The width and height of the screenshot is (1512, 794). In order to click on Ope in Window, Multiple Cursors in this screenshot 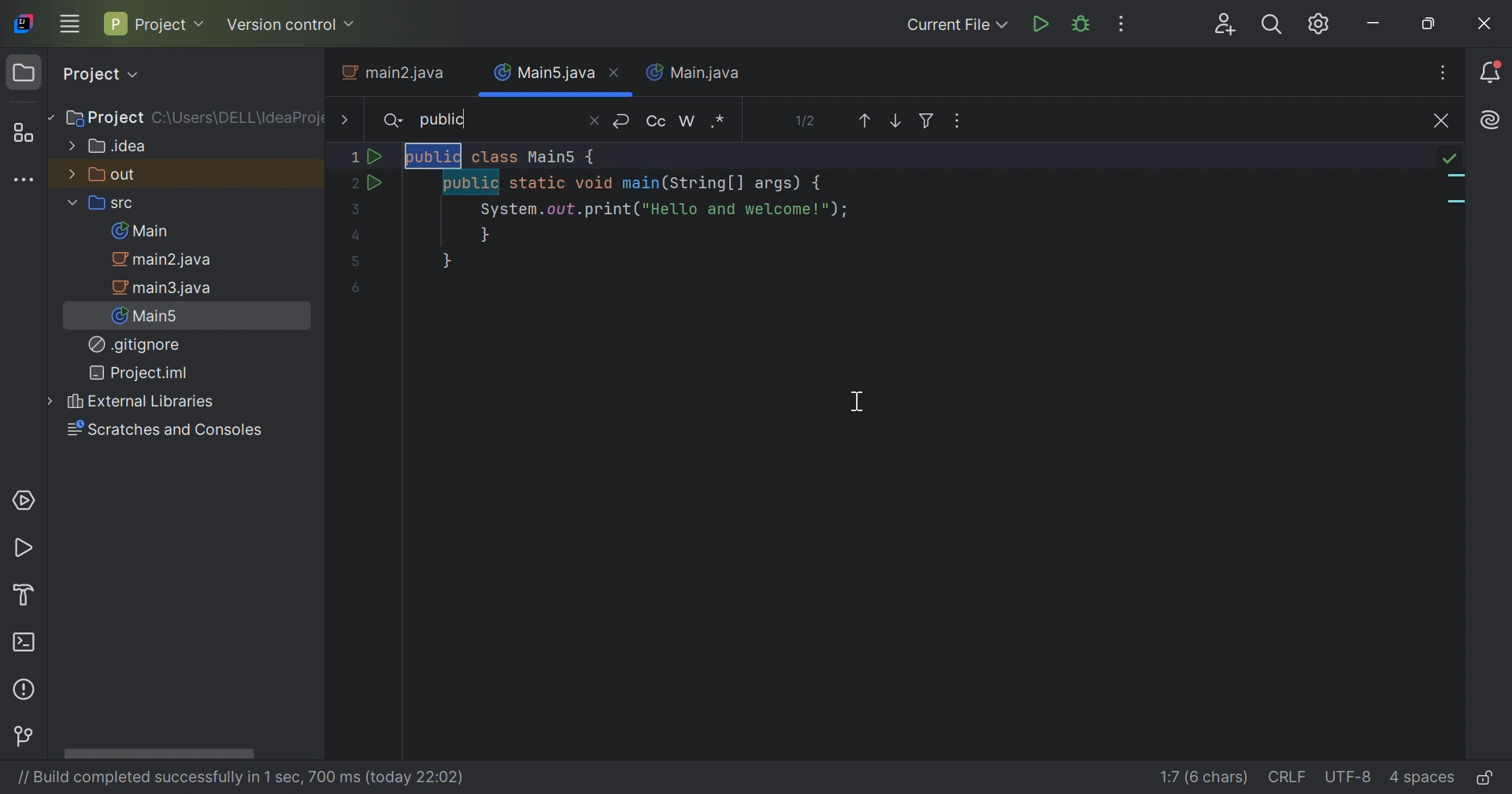, I will do `click(955, 121)`.